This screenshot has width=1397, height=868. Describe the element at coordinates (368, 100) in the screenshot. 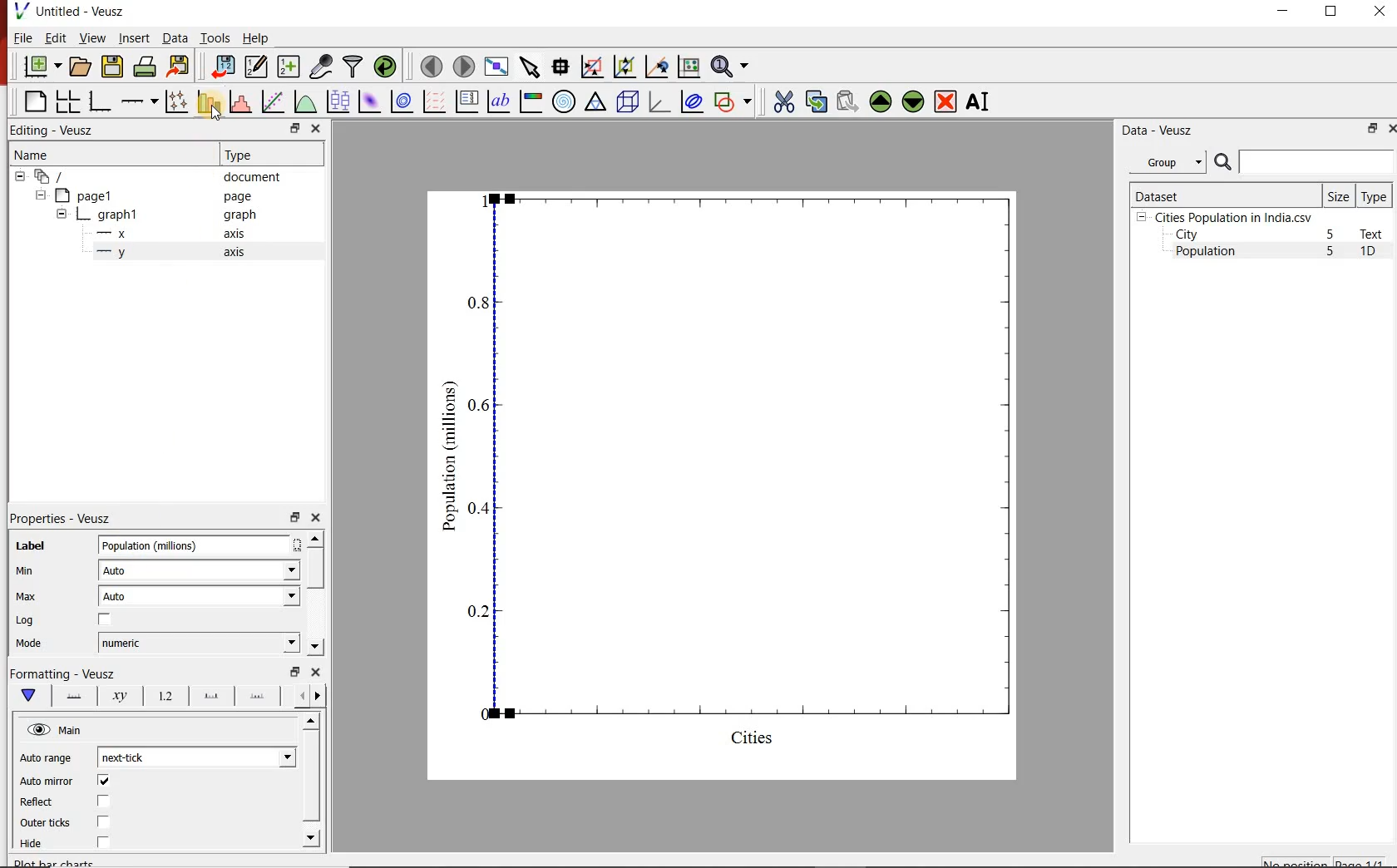

I see `plot a 2d dataset as an image` at that location.